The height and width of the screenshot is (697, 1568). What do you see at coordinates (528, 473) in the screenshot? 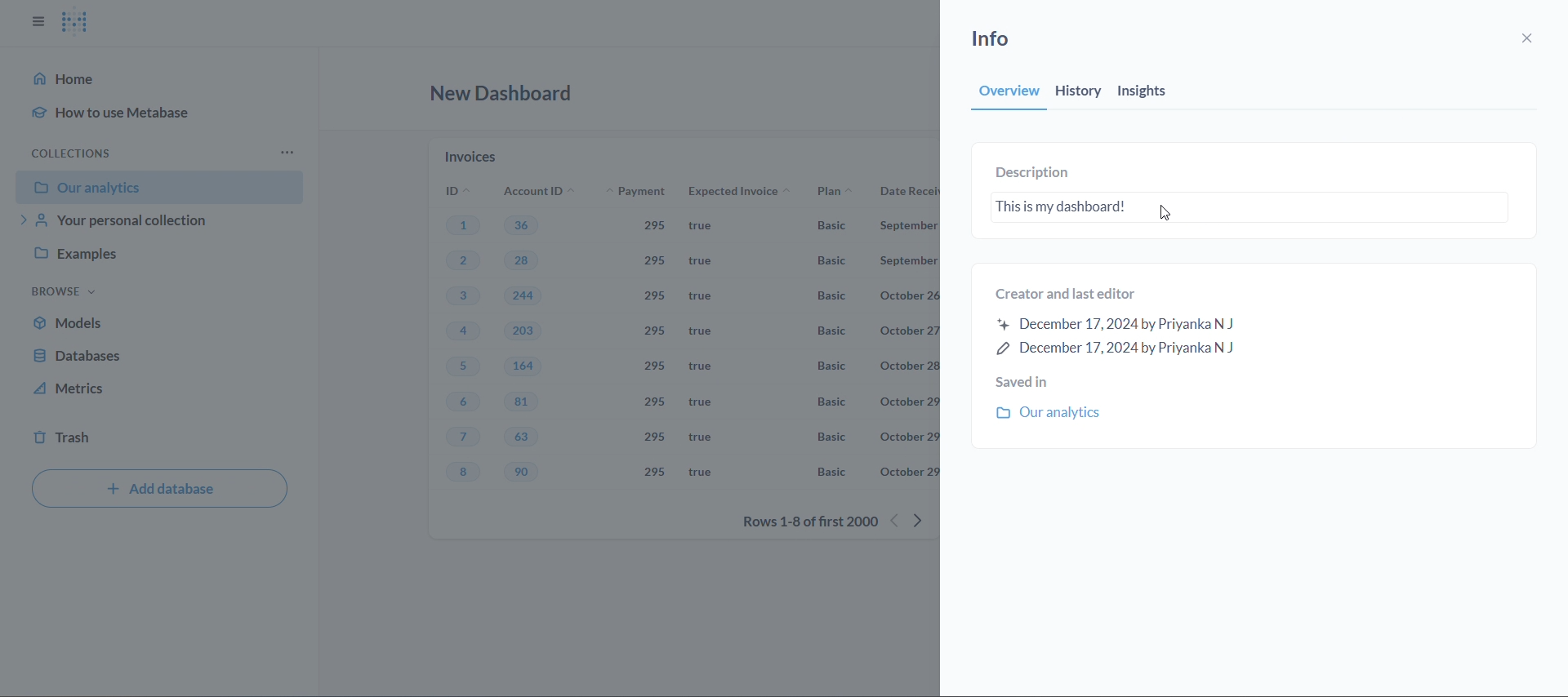
I see `90` at bounding box center [528, 473].